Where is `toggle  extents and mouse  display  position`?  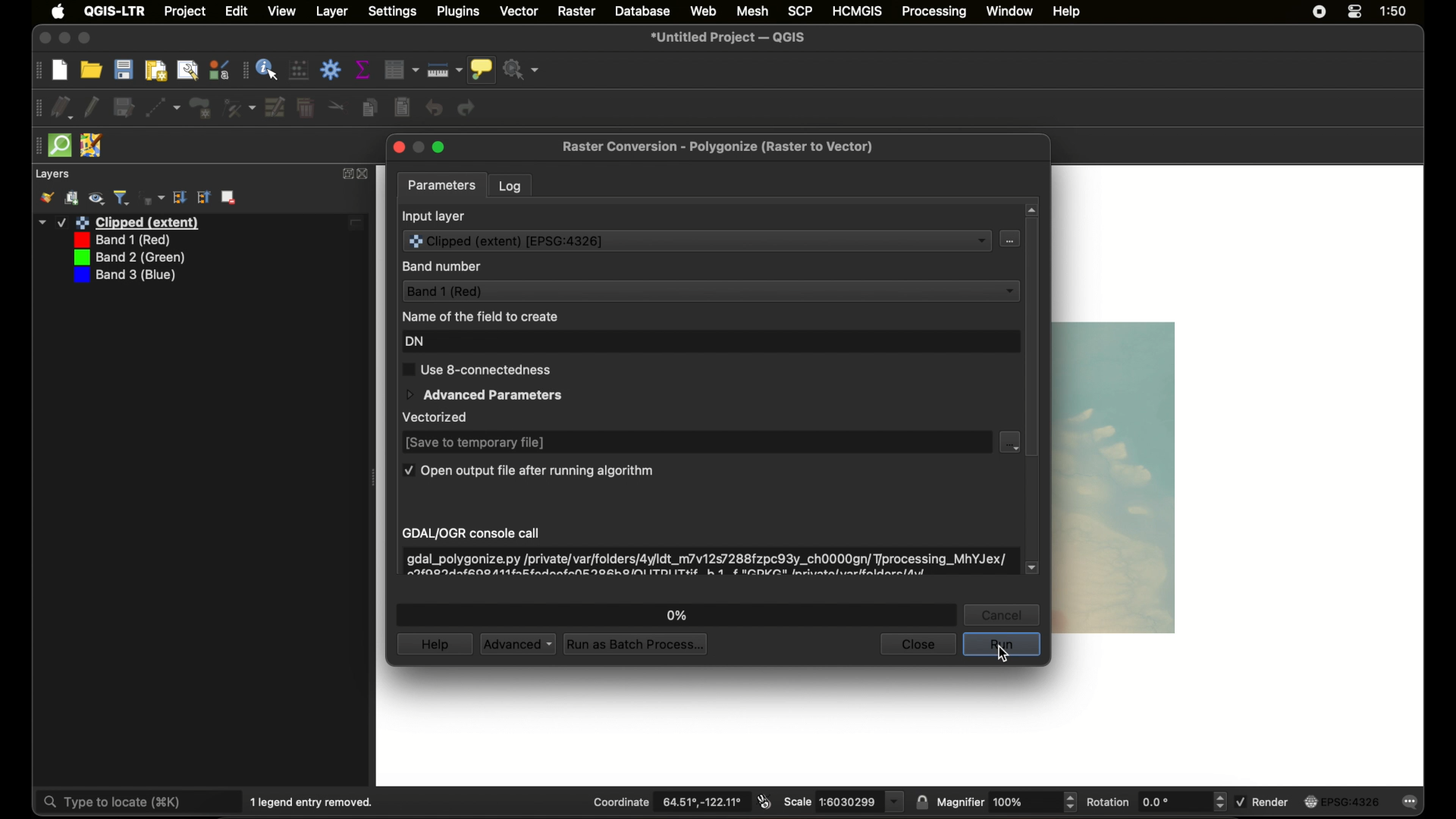 toggle  extents and mouse  display  position is located at coordinates (764, 802).